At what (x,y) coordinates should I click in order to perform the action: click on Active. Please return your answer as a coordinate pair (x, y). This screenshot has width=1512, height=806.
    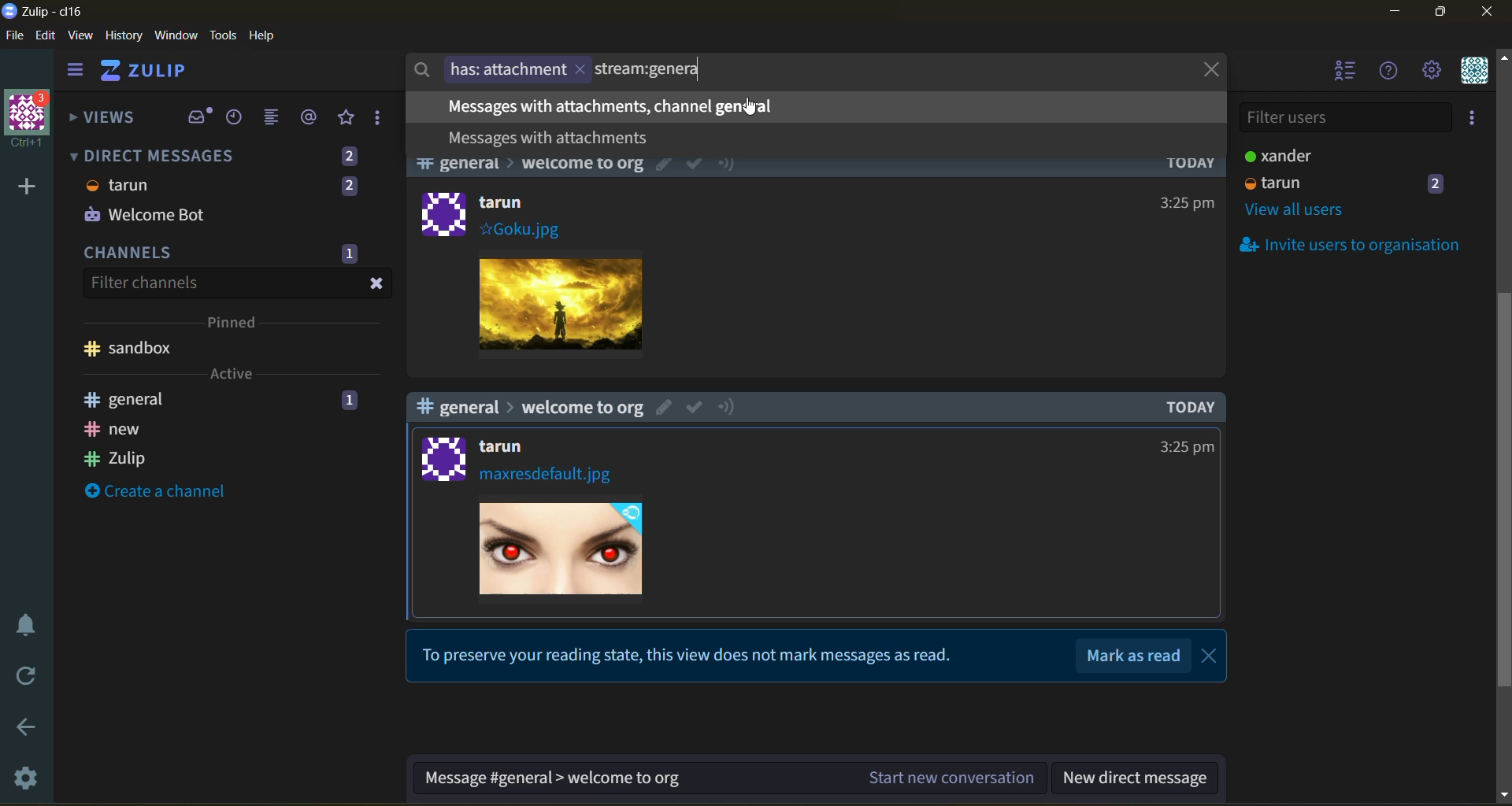
    Looking at the image, I should click on (230, 373).